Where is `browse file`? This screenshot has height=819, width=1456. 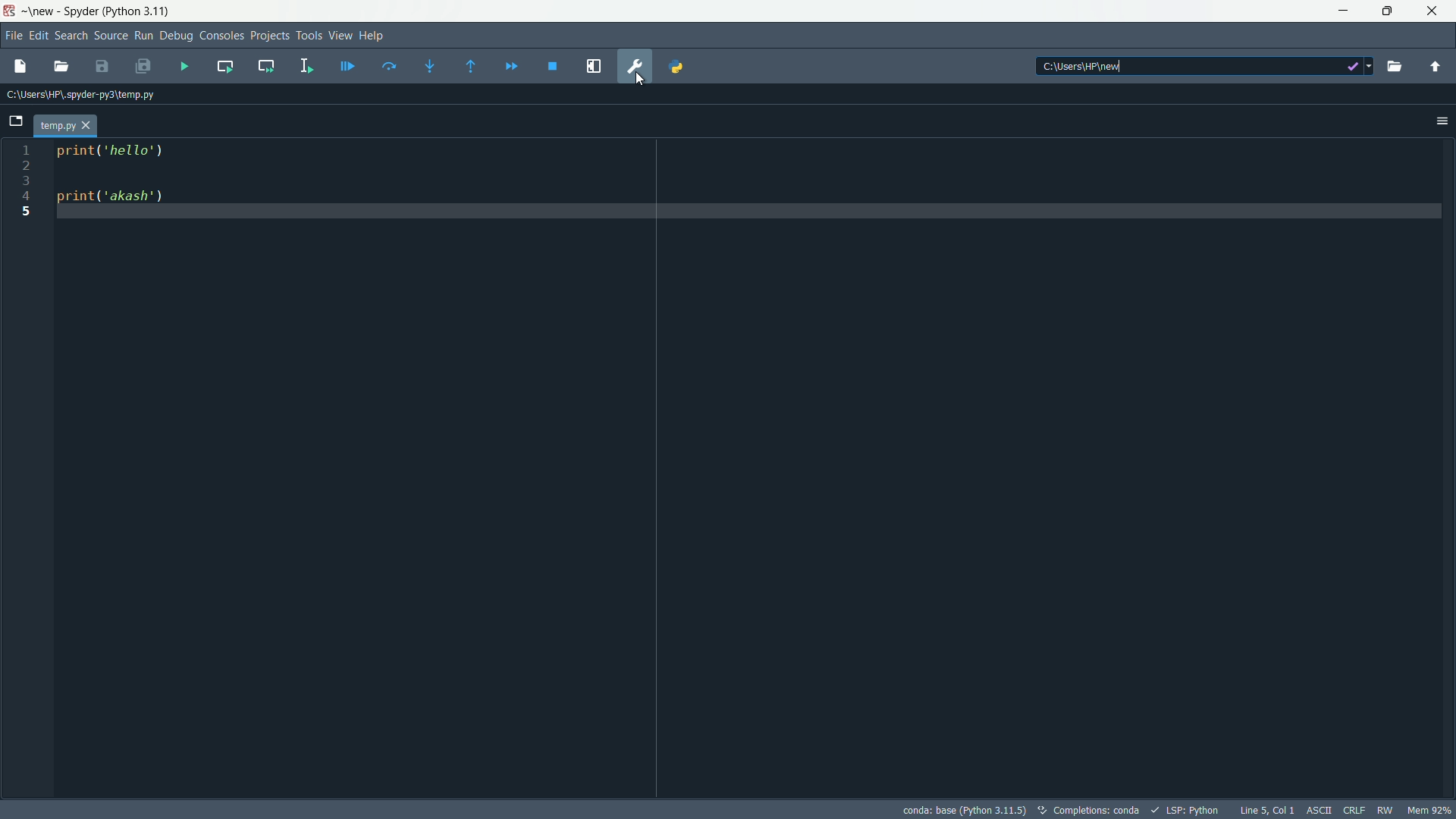 browse file is located at coordinates (62, 67).